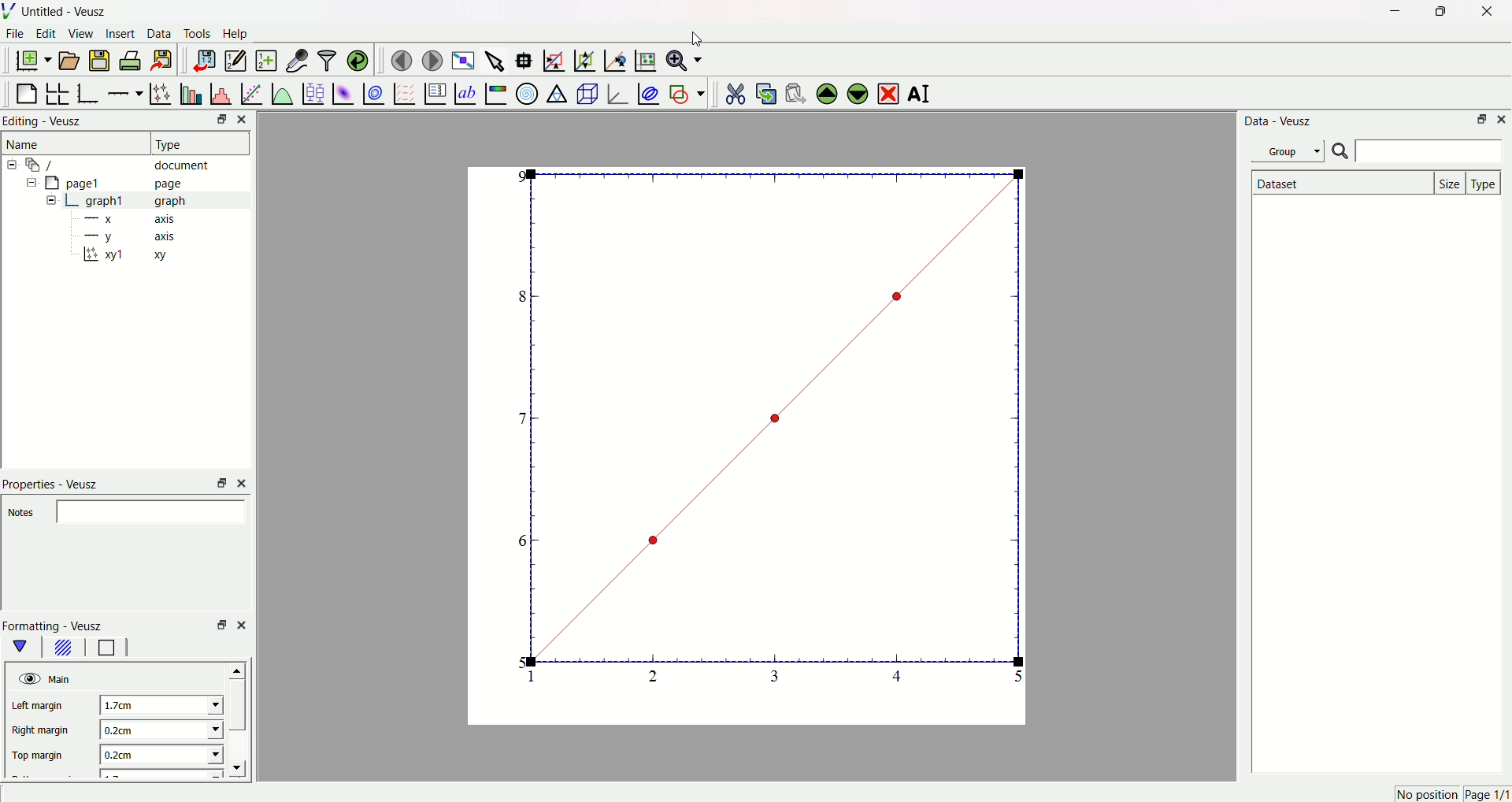 Image resolution: width=1512 pixels, height=802 pixels. Describe the element at coordinates (235, 62) in the screenshot. I see `edit and entry new datasets` at that location.